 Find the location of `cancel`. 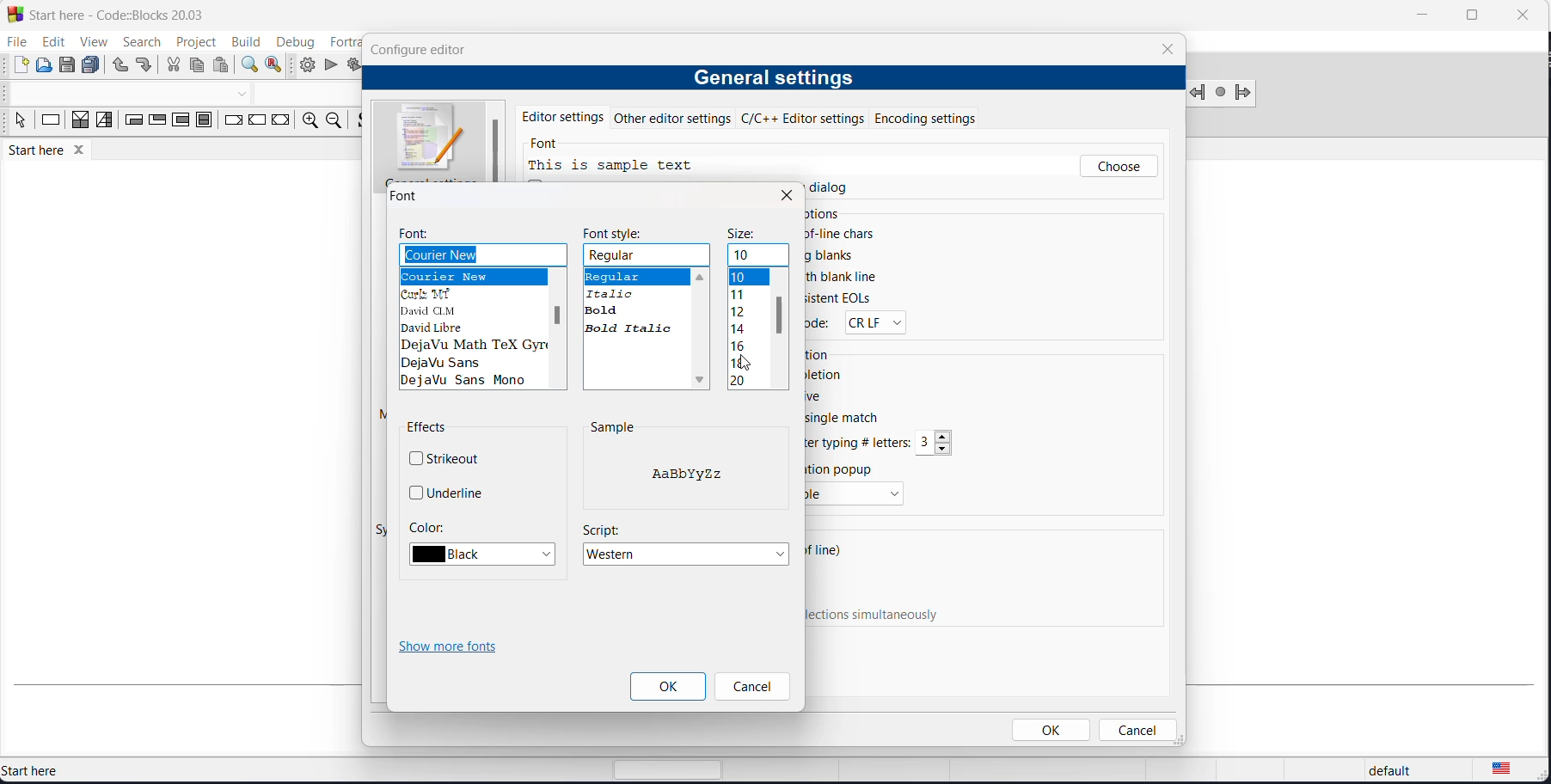

cancel is located at coordinates (1136, 730).